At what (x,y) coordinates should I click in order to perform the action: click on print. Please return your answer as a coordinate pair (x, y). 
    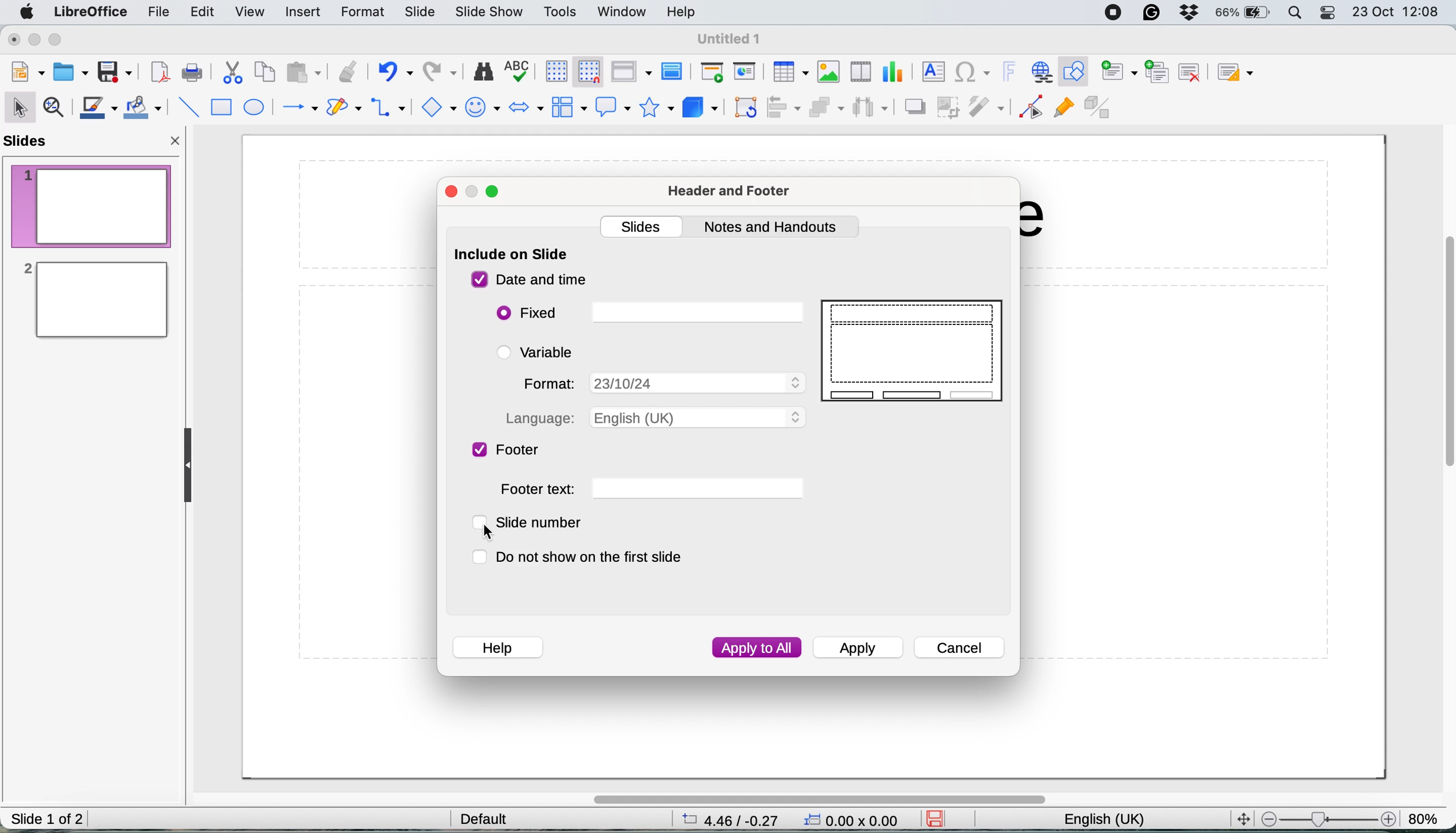
    Looking at the image, I should click on (192, 73).